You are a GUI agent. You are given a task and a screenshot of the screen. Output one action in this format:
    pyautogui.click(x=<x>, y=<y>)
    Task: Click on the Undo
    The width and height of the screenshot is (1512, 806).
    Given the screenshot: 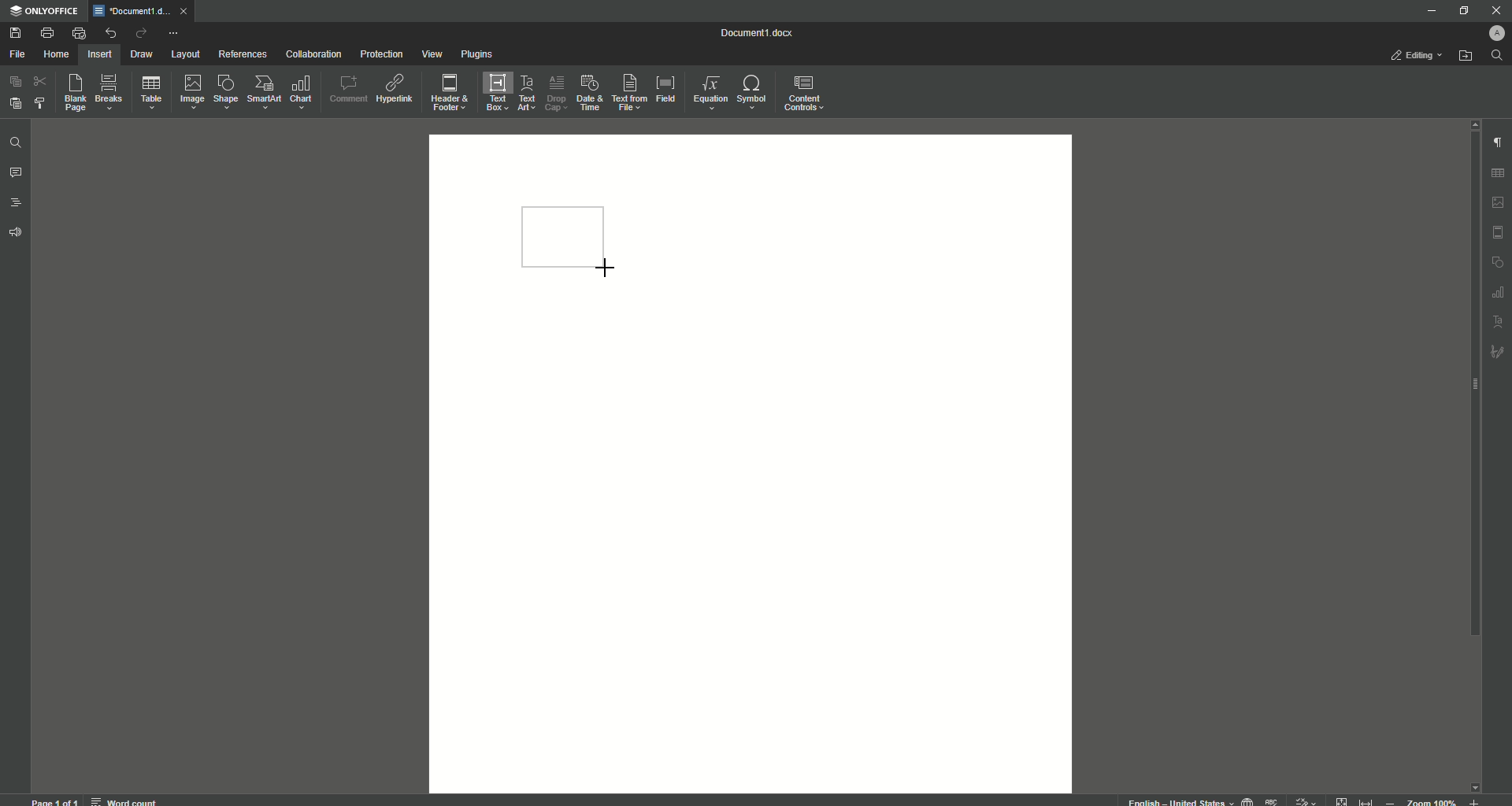 What is the action you would take?
    pyautogui.click(x=109, y=33)
    